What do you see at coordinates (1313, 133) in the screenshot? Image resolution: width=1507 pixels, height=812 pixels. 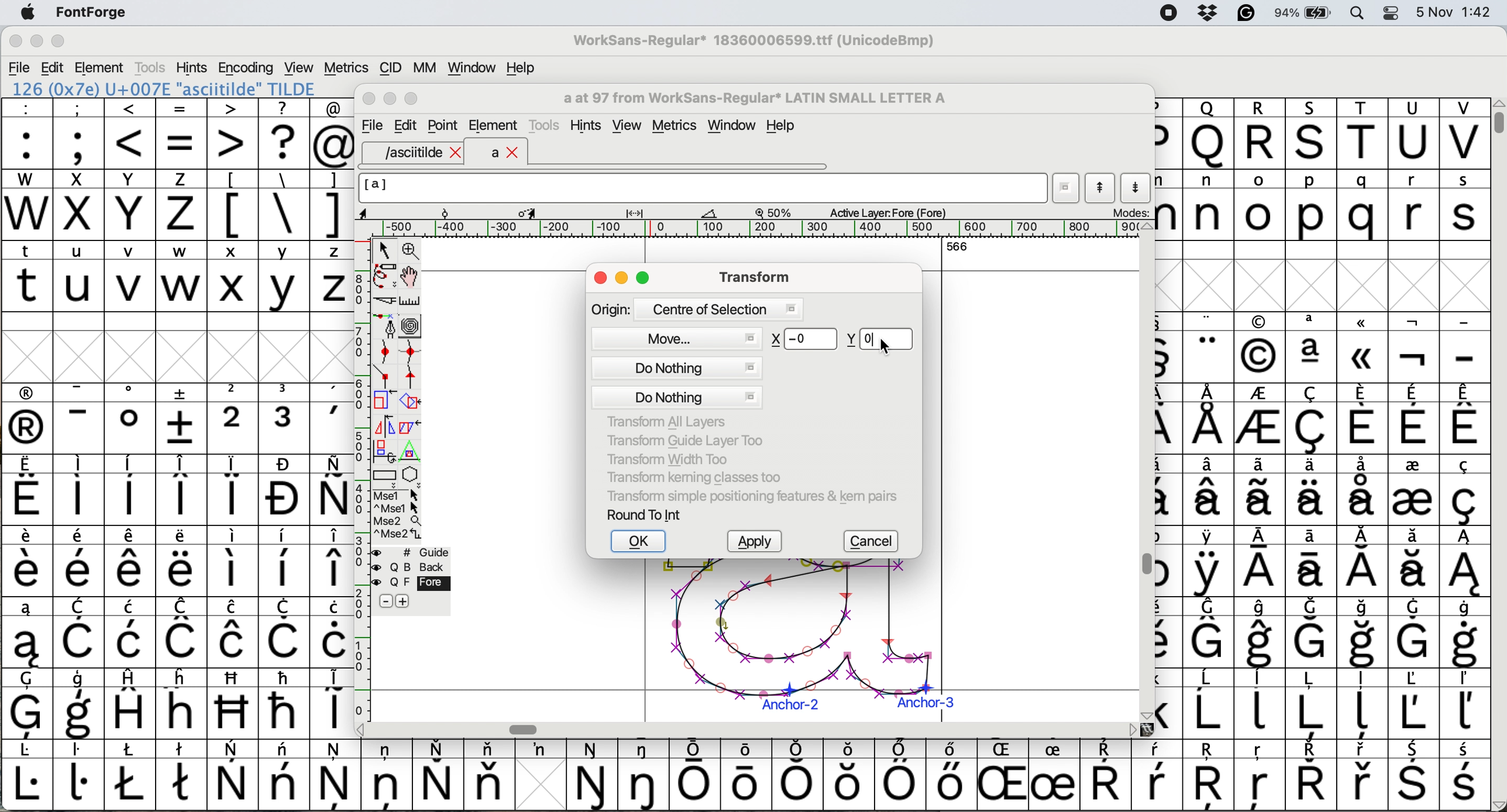 I see `` at bounding box center [1313, 133].